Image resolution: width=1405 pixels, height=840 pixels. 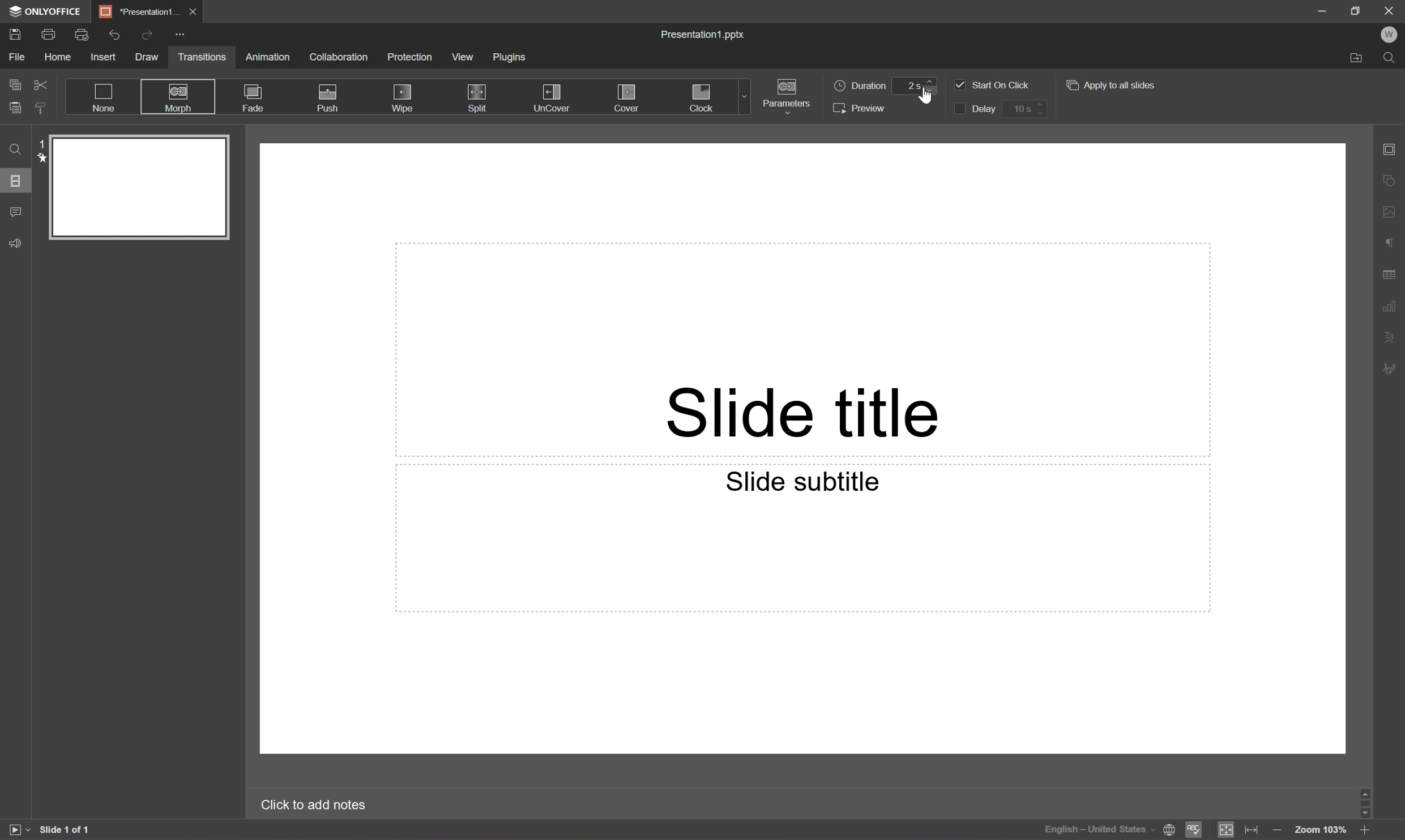 What do you see at coordinates (973, 110) in the screenshot?
I see `Delay` at bounding box center [973, 110].